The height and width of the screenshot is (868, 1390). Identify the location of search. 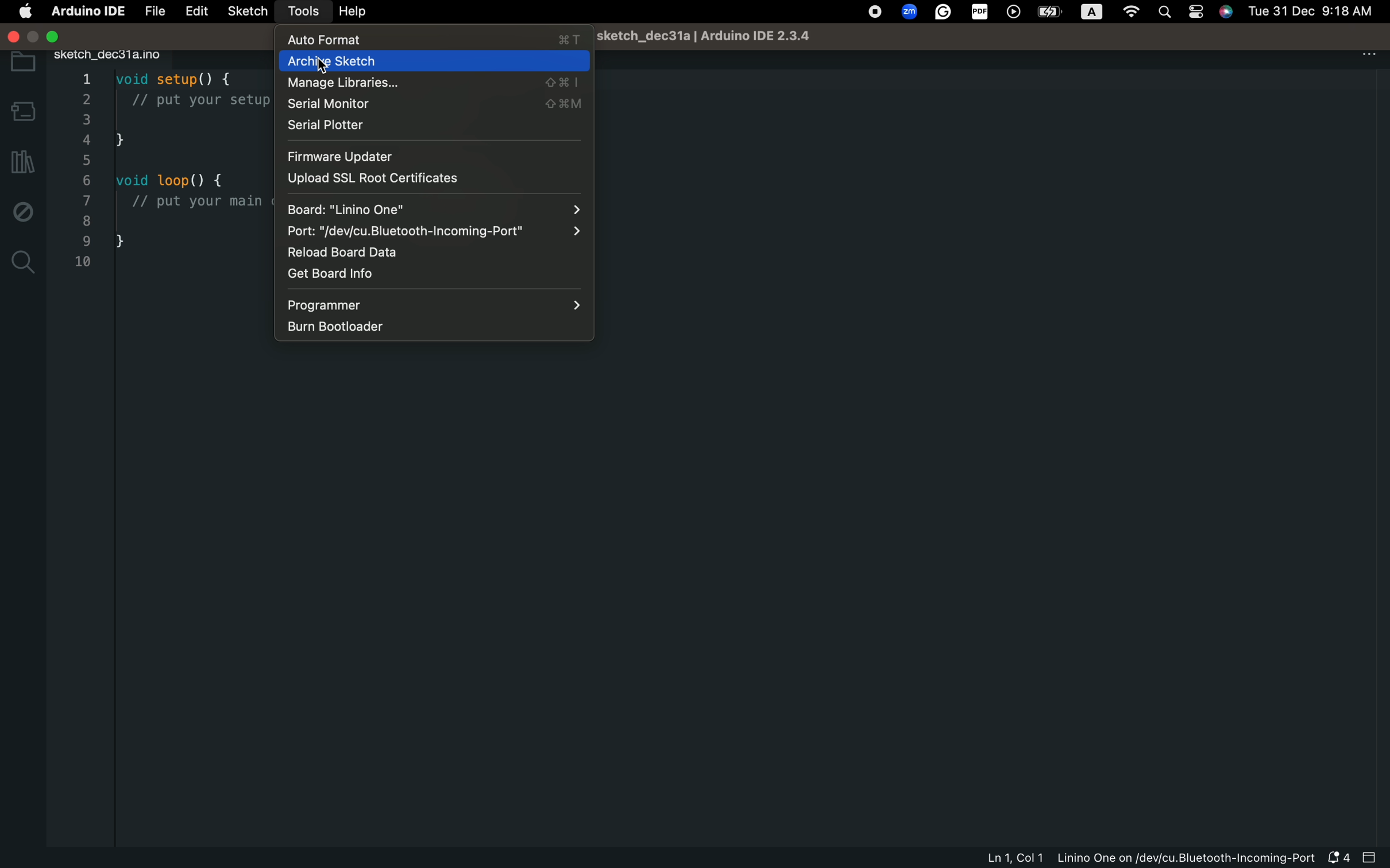
(24, 262).